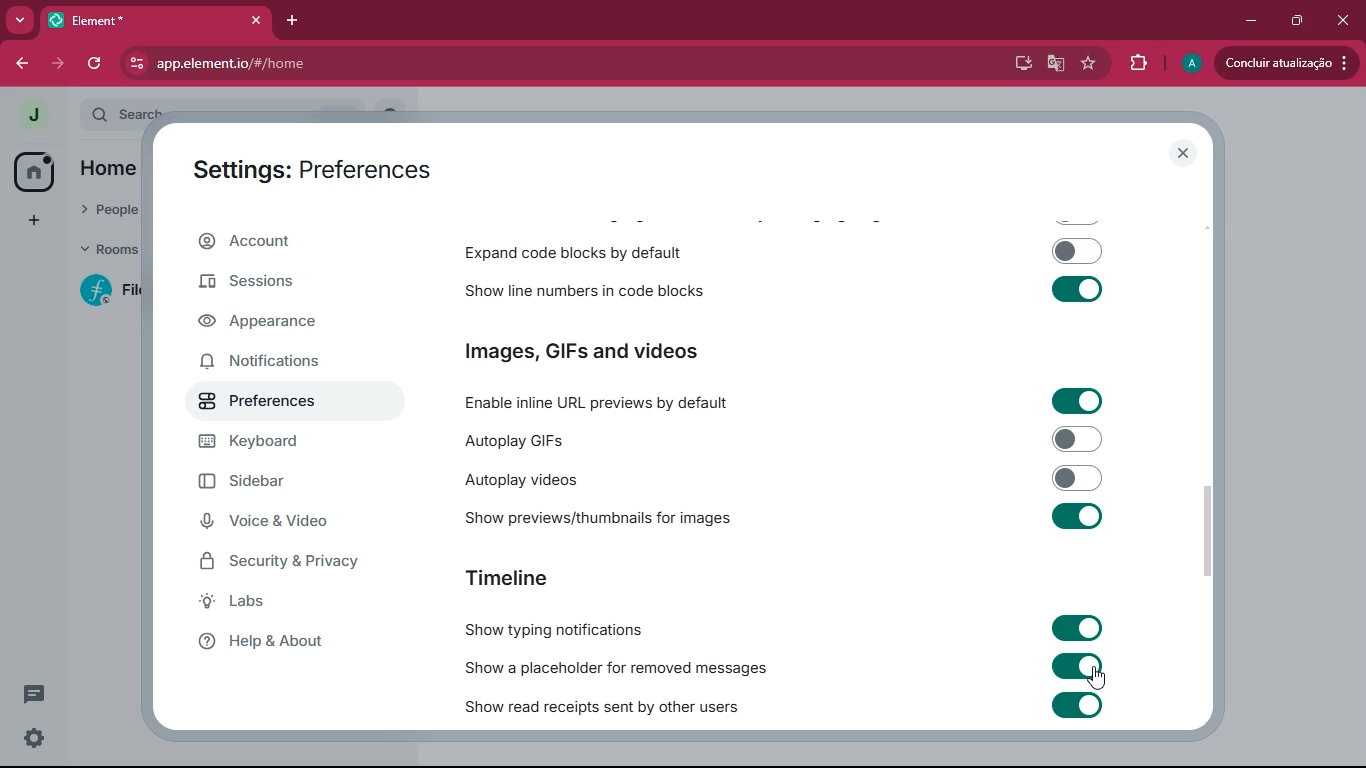 This screenshot has width=1366, height=768. What do you see at coordinates (581, 250) in the screenshot?
I see `expand code blocks by default` at bounding box center [581, 250].